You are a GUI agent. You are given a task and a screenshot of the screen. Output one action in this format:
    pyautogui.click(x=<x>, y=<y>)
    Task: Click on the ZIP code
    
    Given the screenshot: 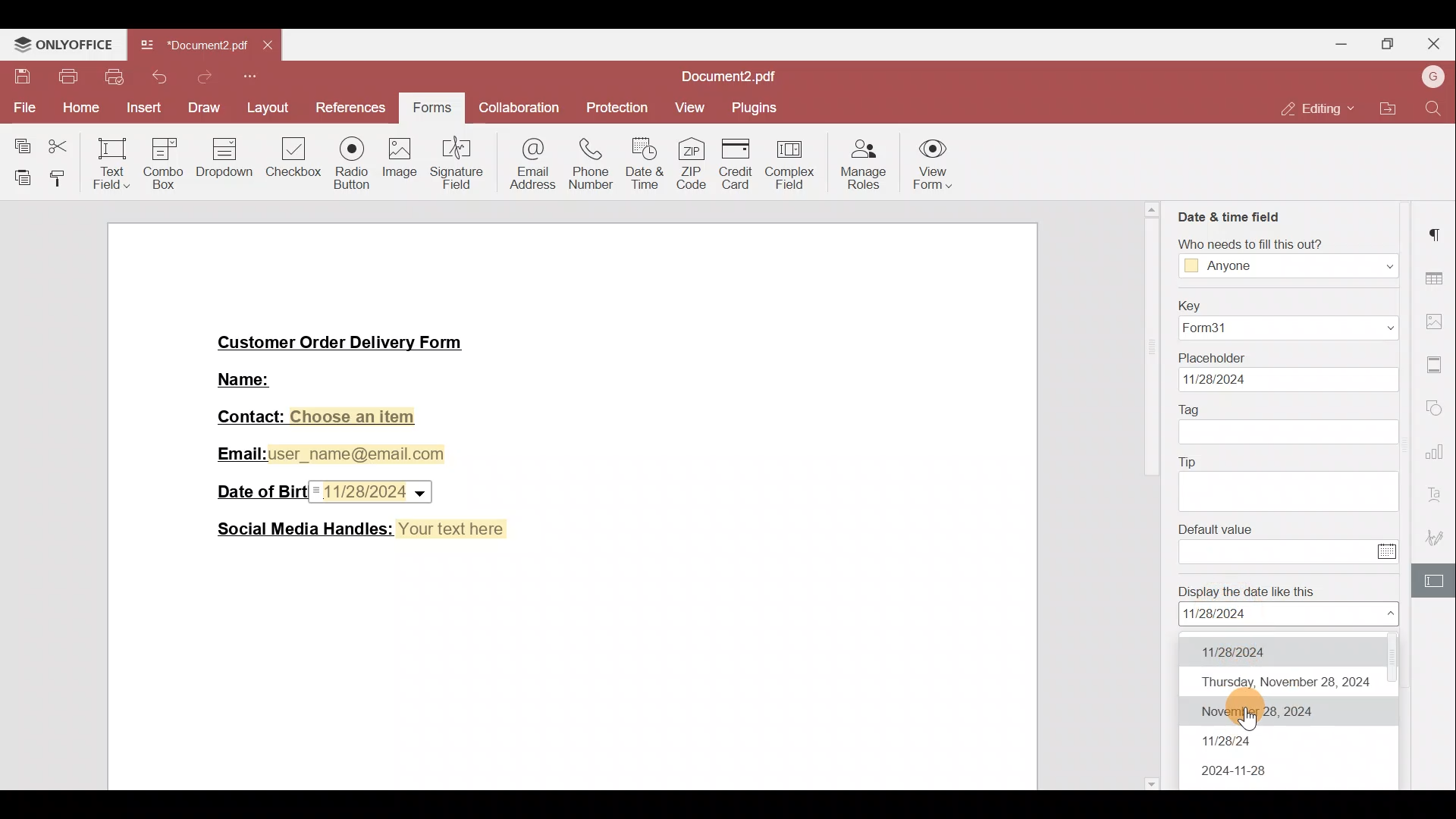 What is the action you would take?
    pyautogui.click(x=695, y=165)
    